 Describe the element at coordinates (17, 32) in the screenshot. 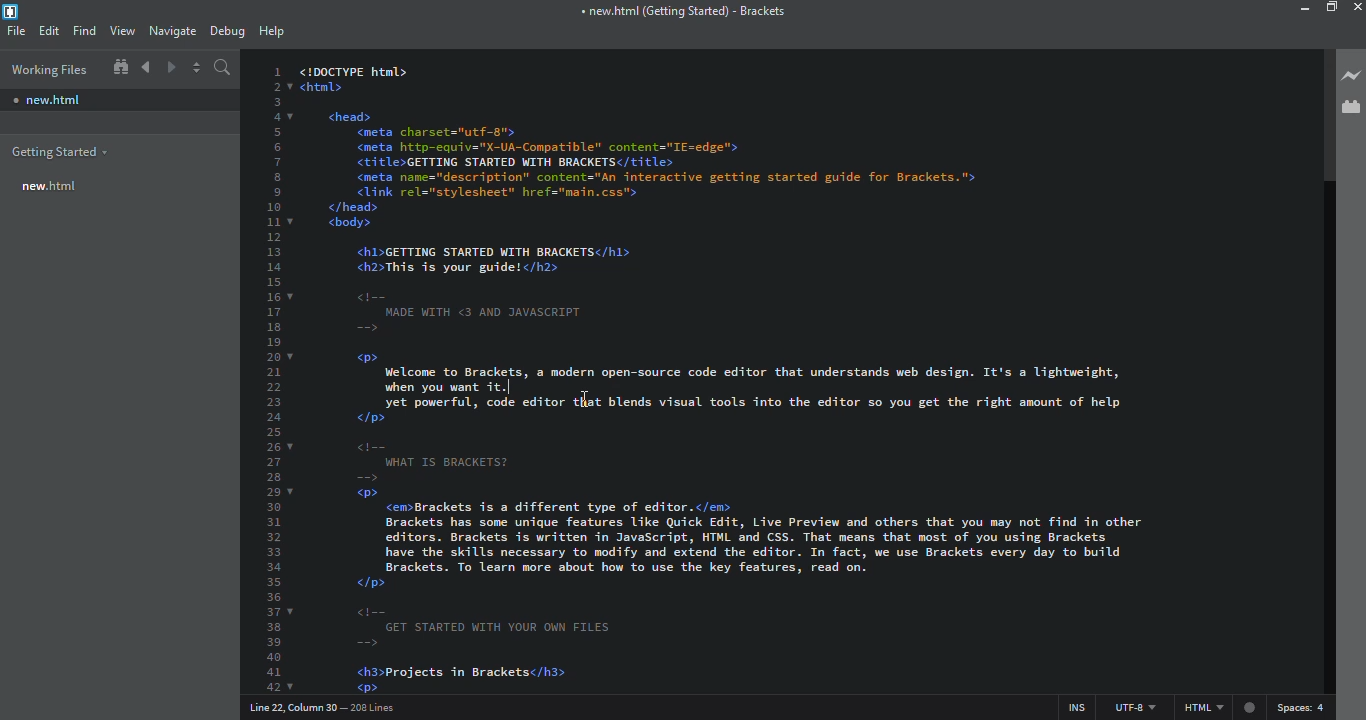

I see `file` at that location.